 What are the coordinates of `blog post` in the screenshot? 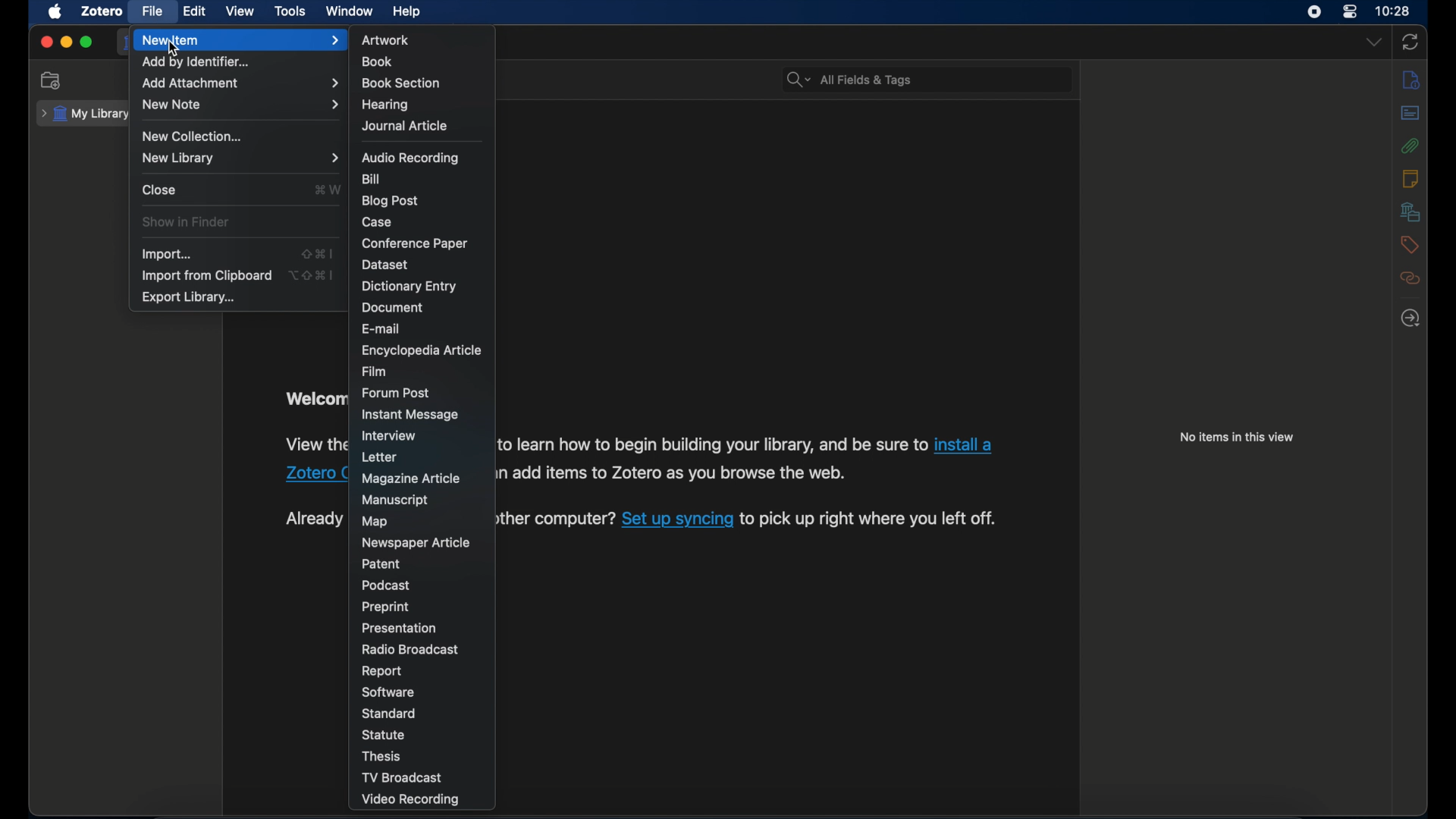 It's located at (391, 202).